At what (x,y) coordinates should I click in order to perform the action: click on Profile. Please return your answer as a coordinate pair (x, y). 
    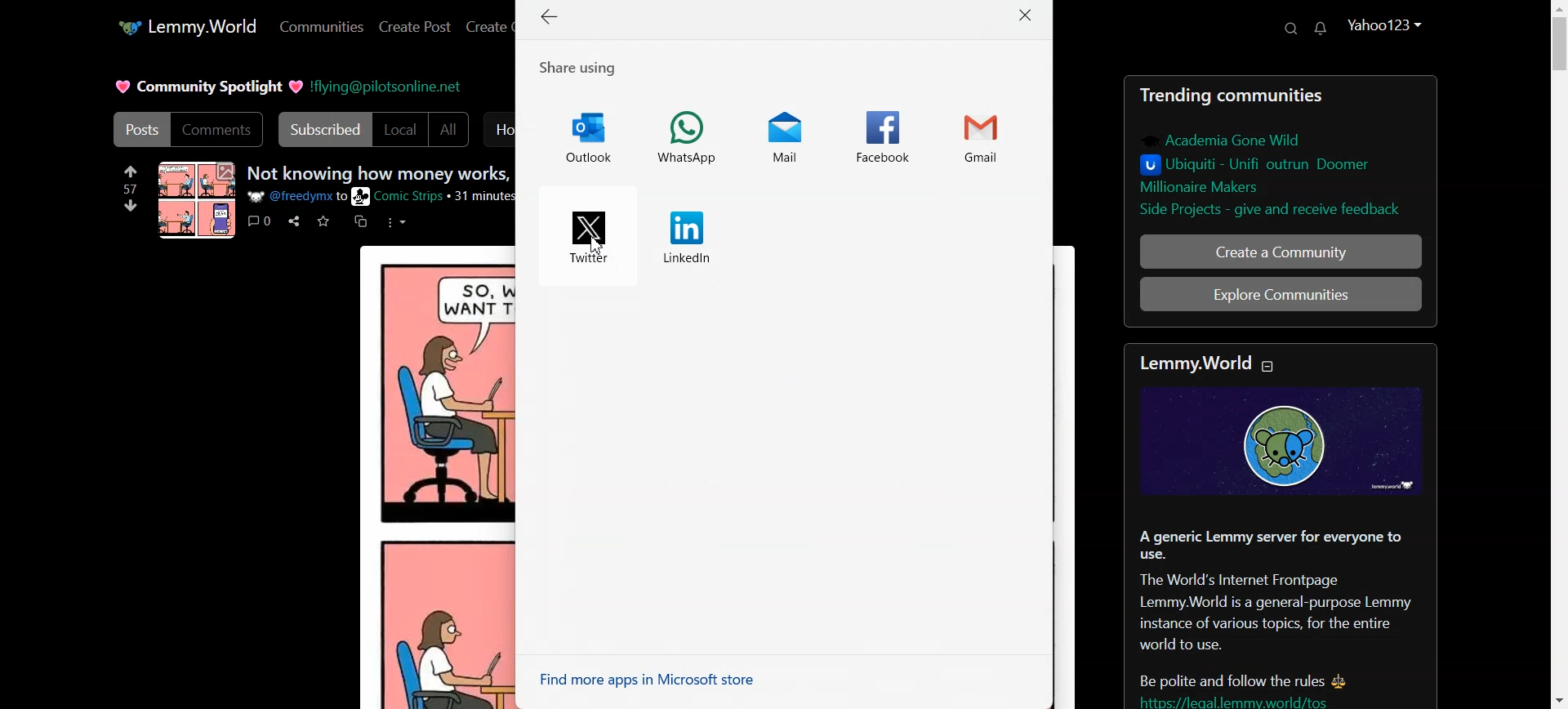
    Looking at the image, I should click on (1387, 24).